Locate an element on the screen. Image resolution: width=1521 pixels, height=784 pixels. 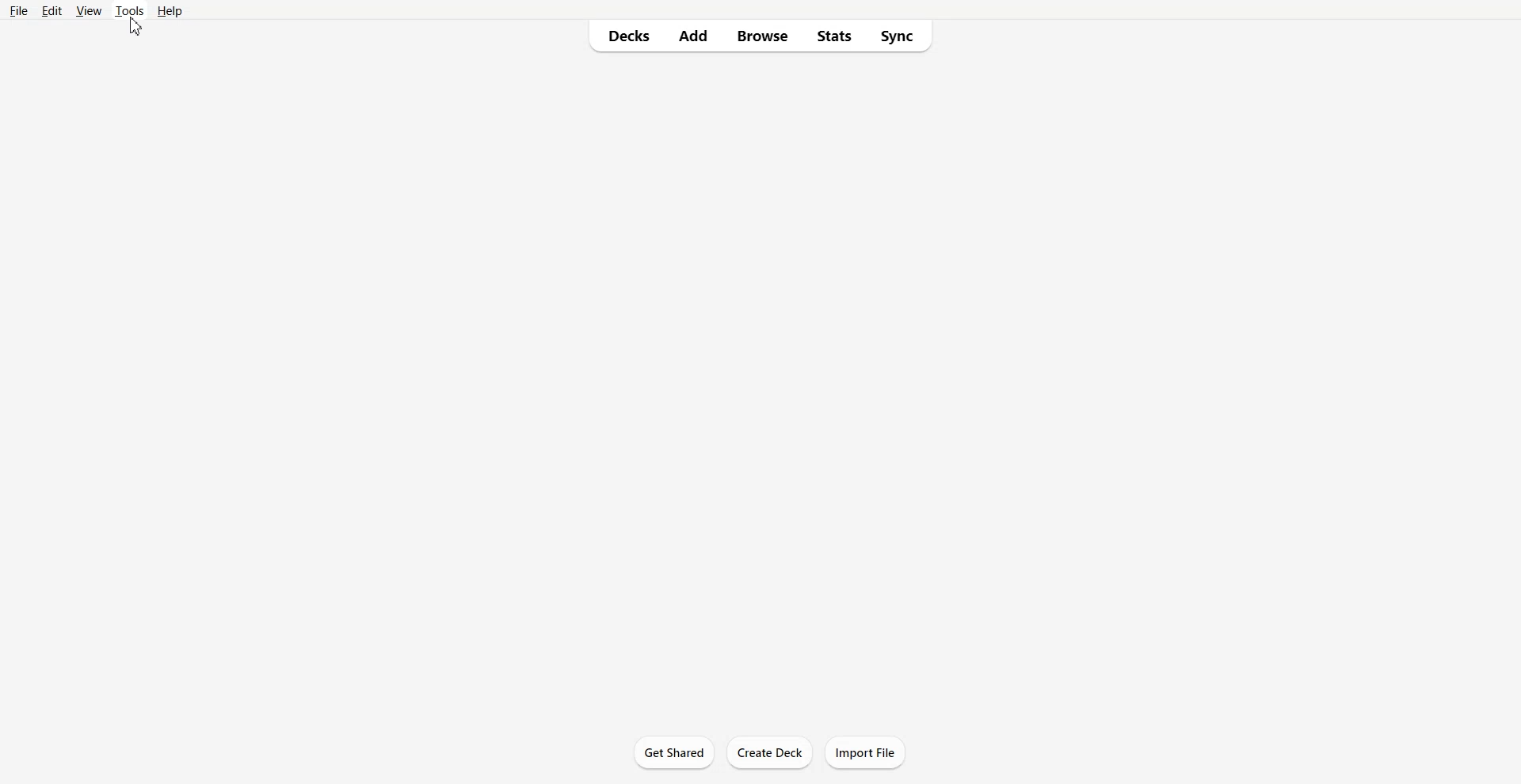
Cursor is located at coordinates (136, 27).